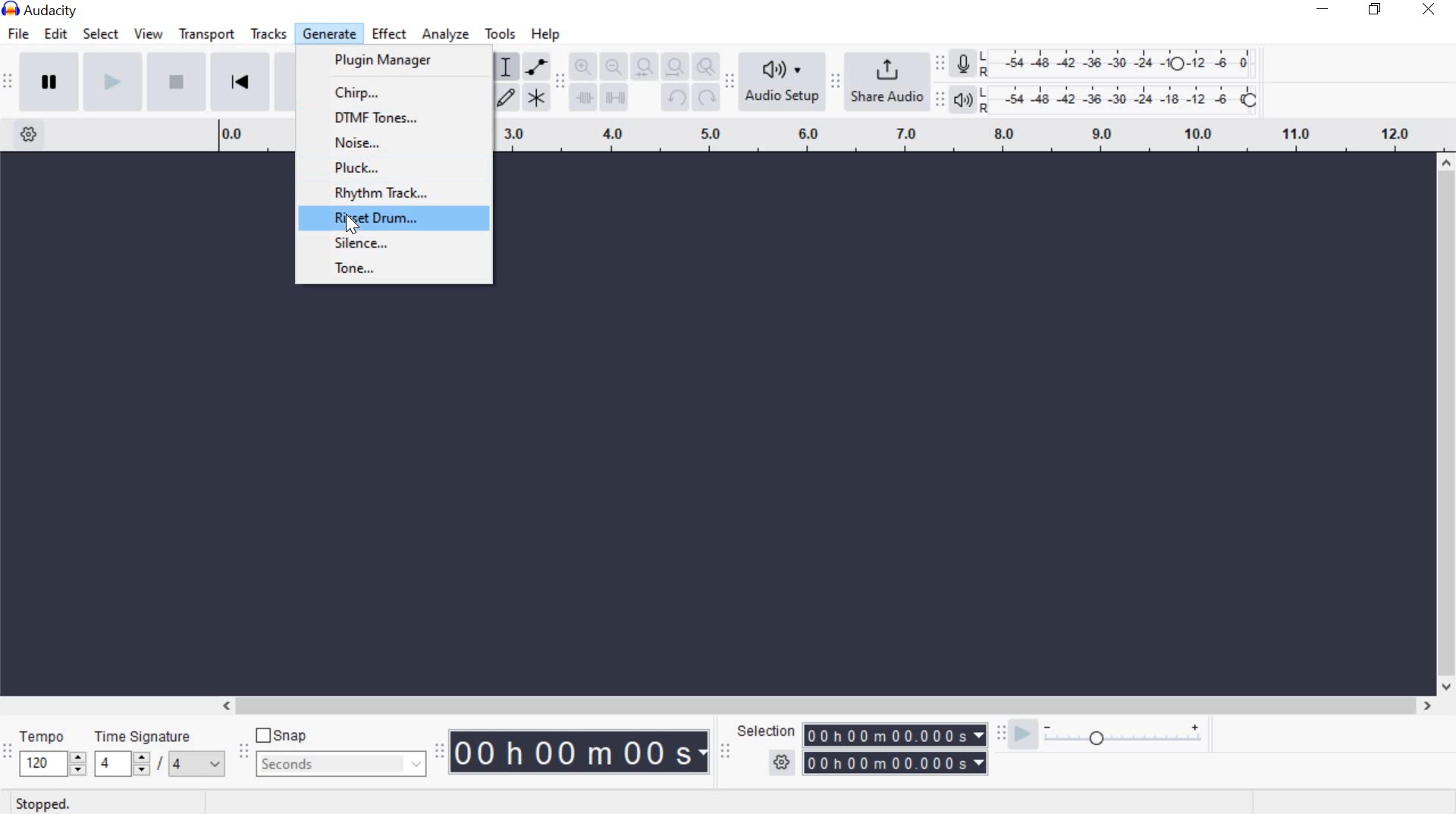 The height and width of the screenshot is (814, 1456). I want to click on Snapping toolbar, so click(247, 753).